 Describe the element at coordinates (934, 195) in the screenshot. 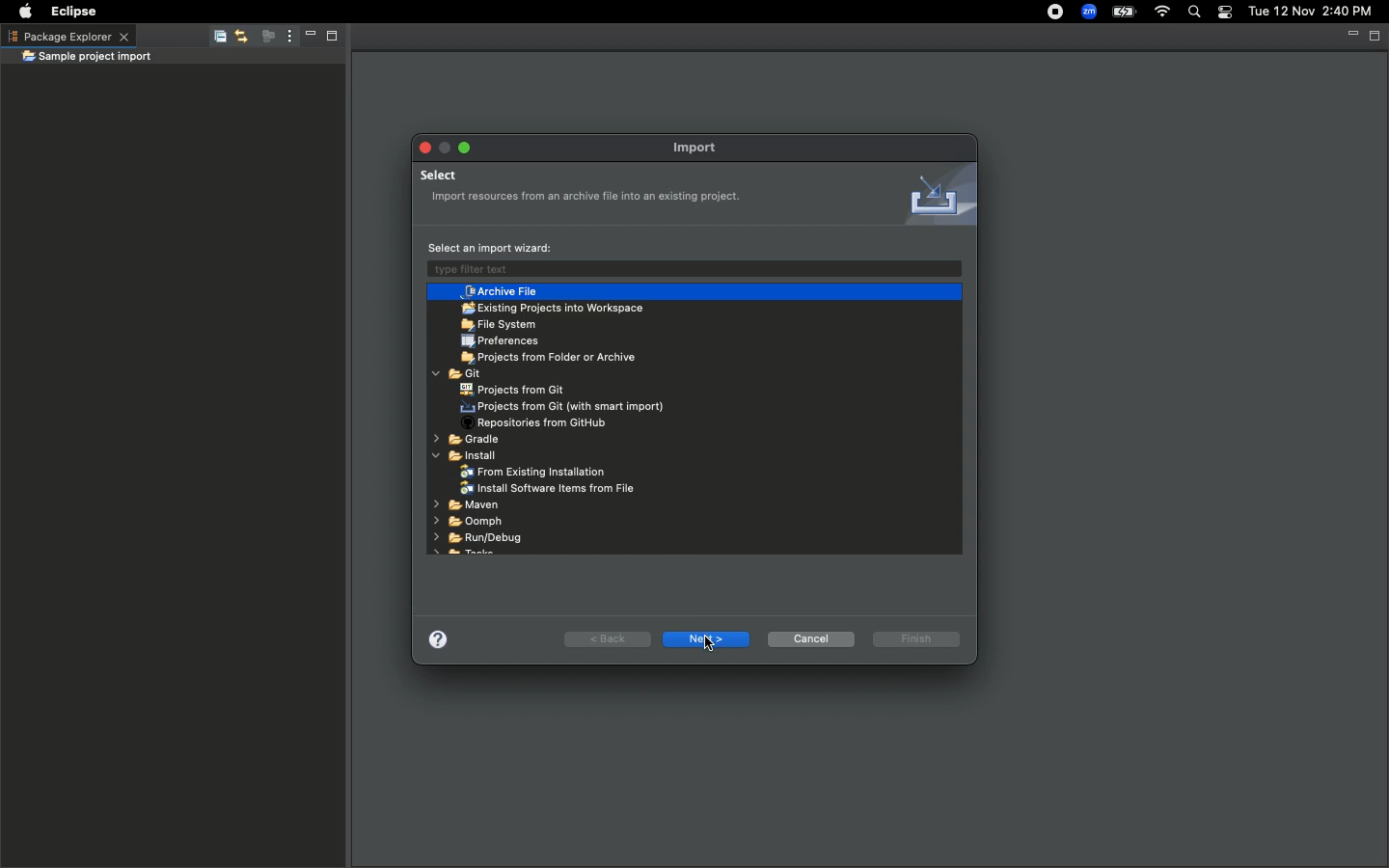

I see `Icon` at that location.